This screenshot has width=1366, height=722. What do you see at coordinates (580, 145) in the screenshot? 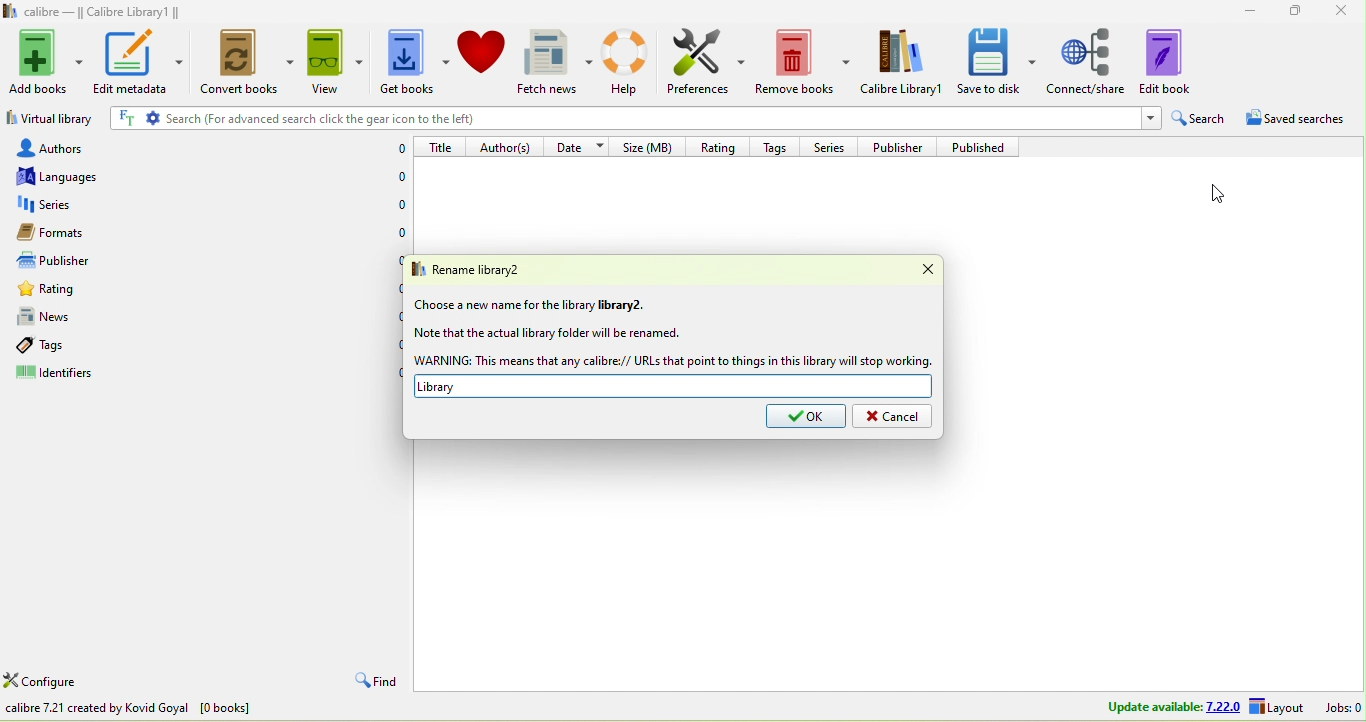
I see `date` at bounding box center [580, 145].